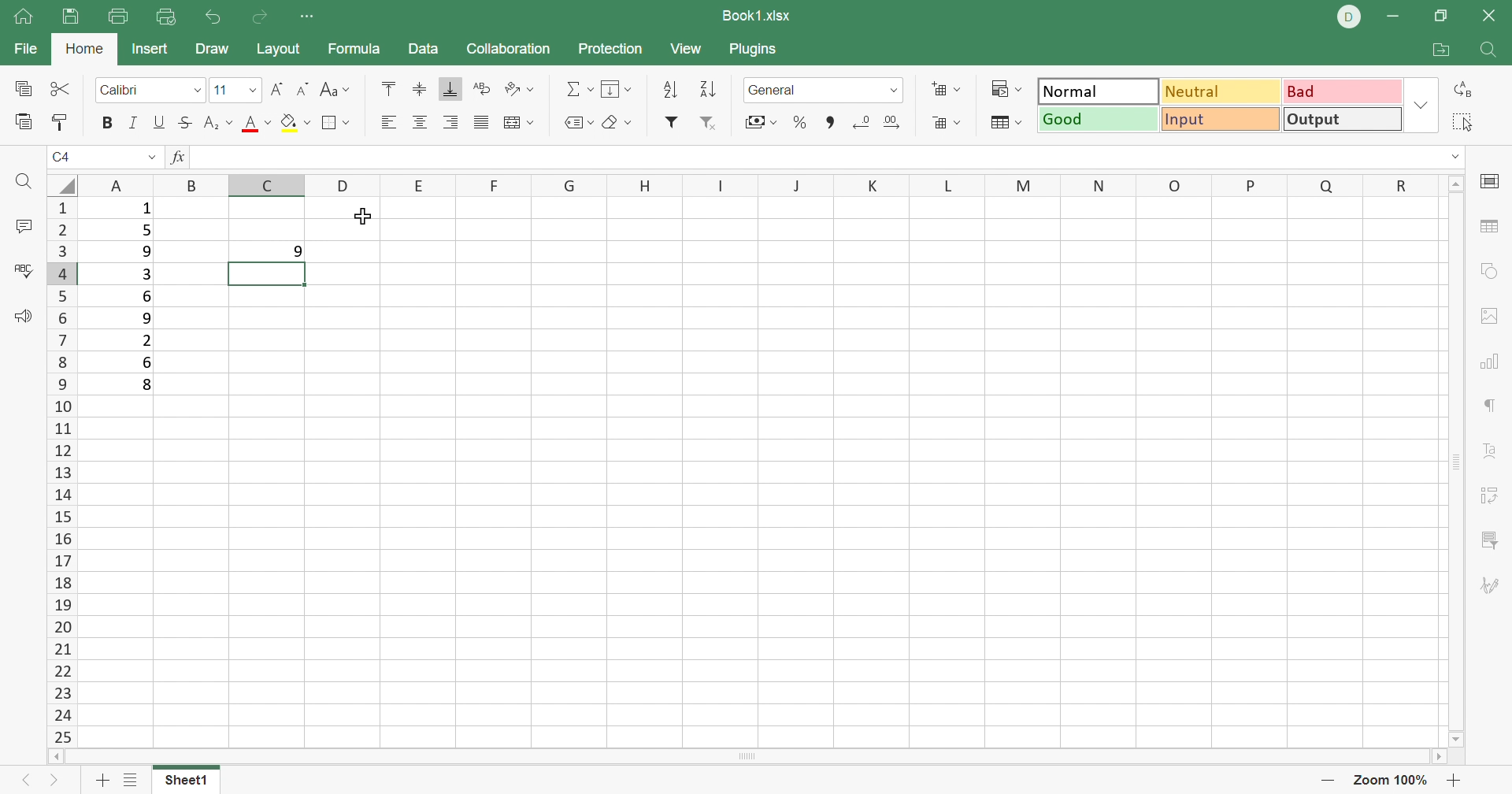  What do you see at coordinates (254, 91) in the screenshot?
I see `Drop Down` at bounding box center [254, 91].